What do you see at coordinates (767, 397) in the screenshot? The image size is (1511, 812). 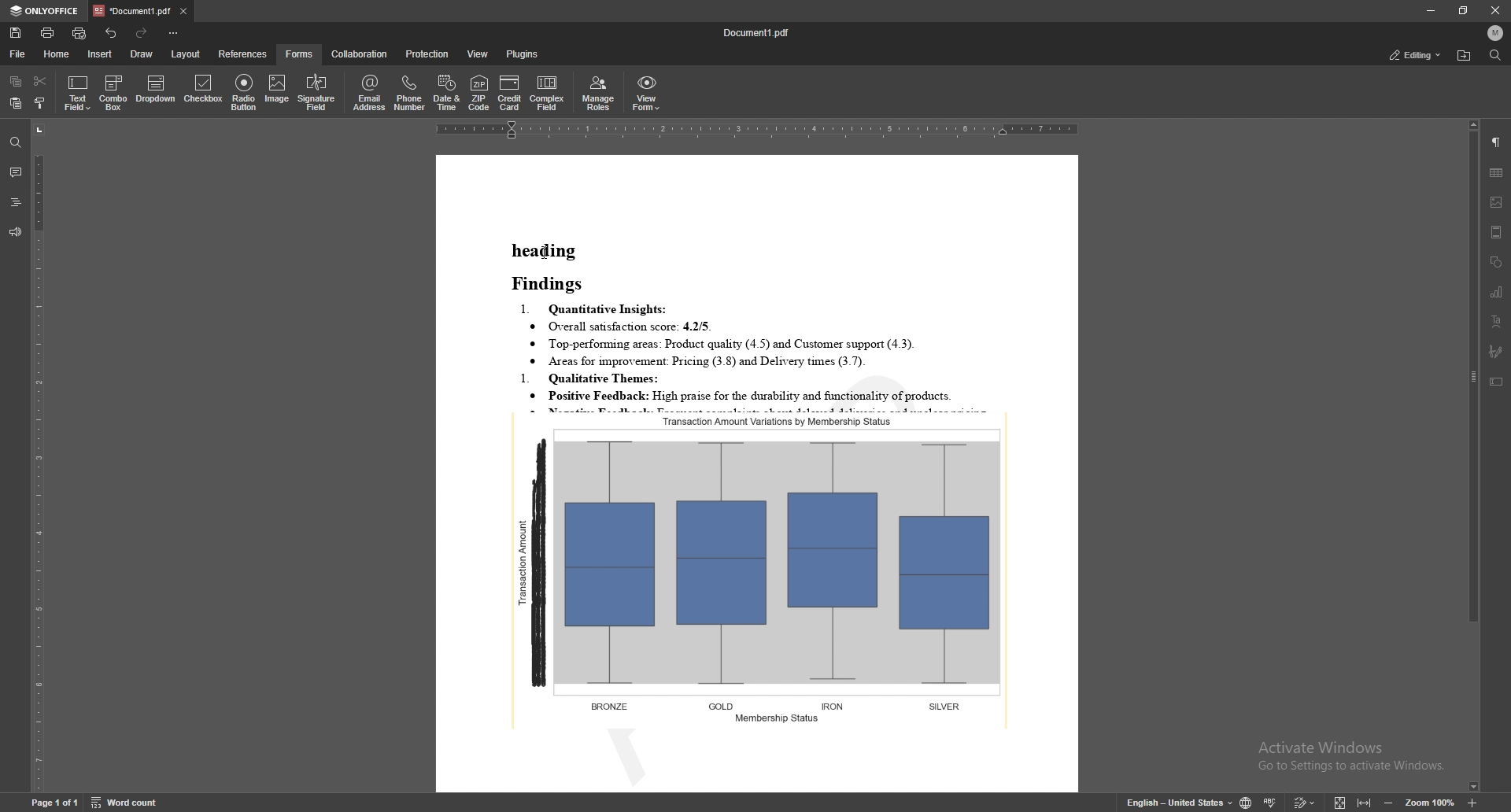 I see `* Positive Feedback: High praise for the durability and functionality of products.` at bounding box center [767, 397].